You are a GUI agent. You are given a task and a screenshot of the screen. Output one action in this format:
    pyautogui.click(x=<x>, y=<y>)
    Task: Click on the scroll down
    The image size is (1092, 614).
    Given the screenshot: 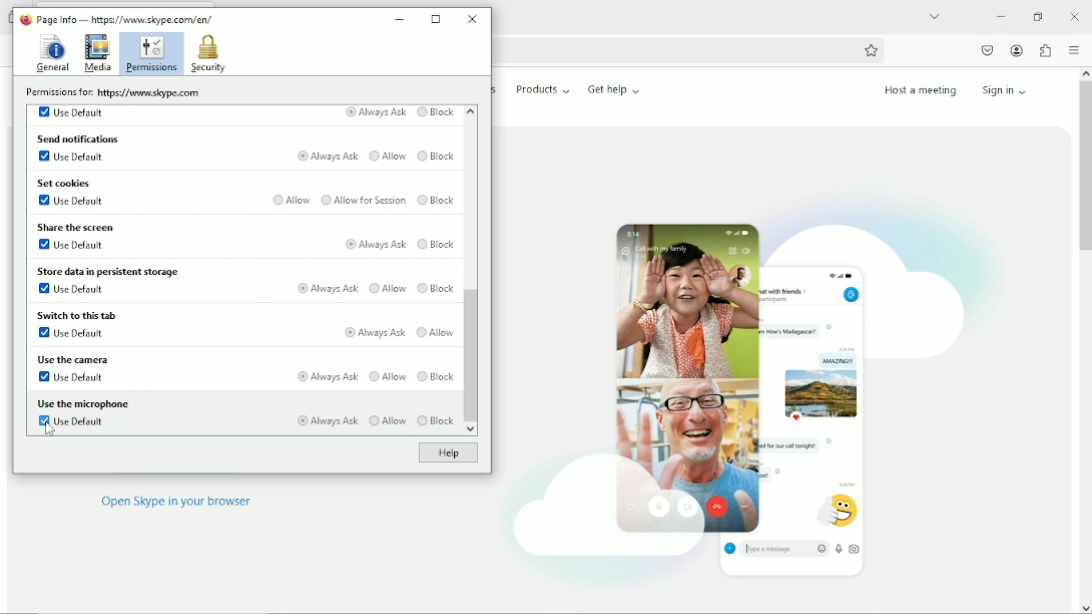 What is the action you would take?
    pyautogui.click(x=470, y=429)
    